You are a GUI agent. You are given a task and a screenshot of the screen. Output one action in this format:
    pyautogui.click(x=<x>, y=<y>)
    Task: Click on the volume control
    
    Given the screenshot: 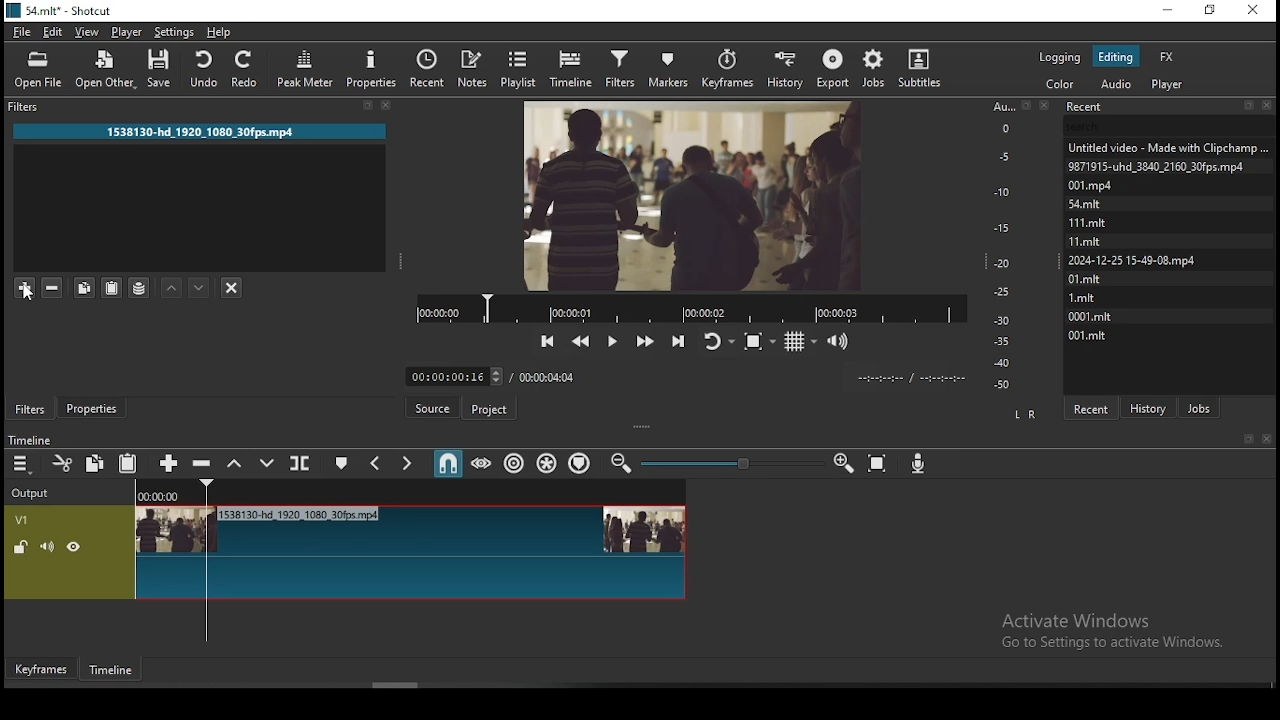 What is the action you would take?
    pyautogui.click(x=840, y=340)
    